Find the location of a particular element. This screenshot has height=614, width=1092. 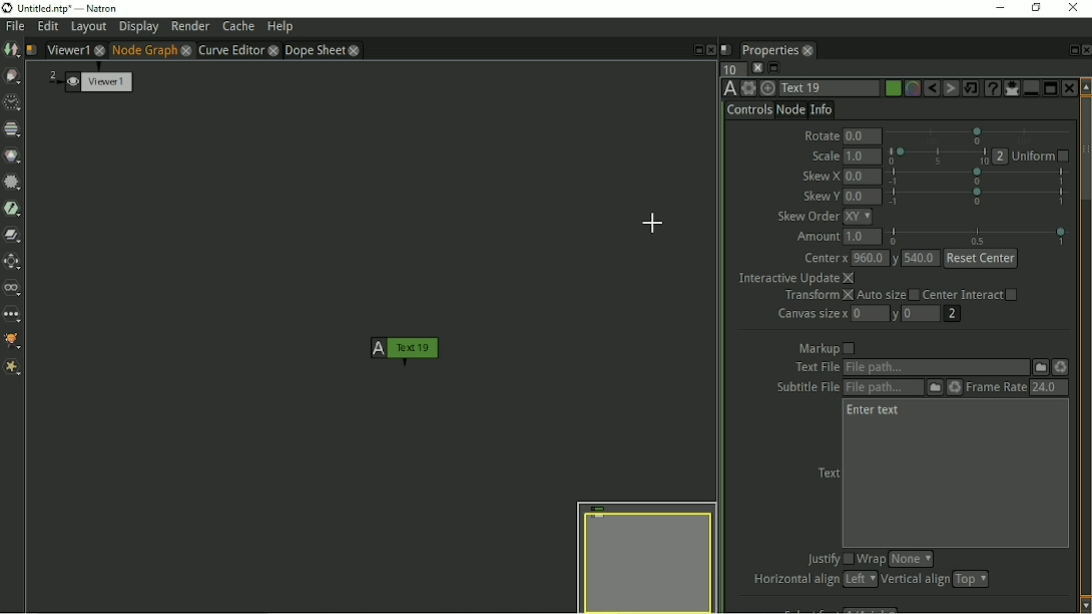

Info is located at coordinates (822, 109).